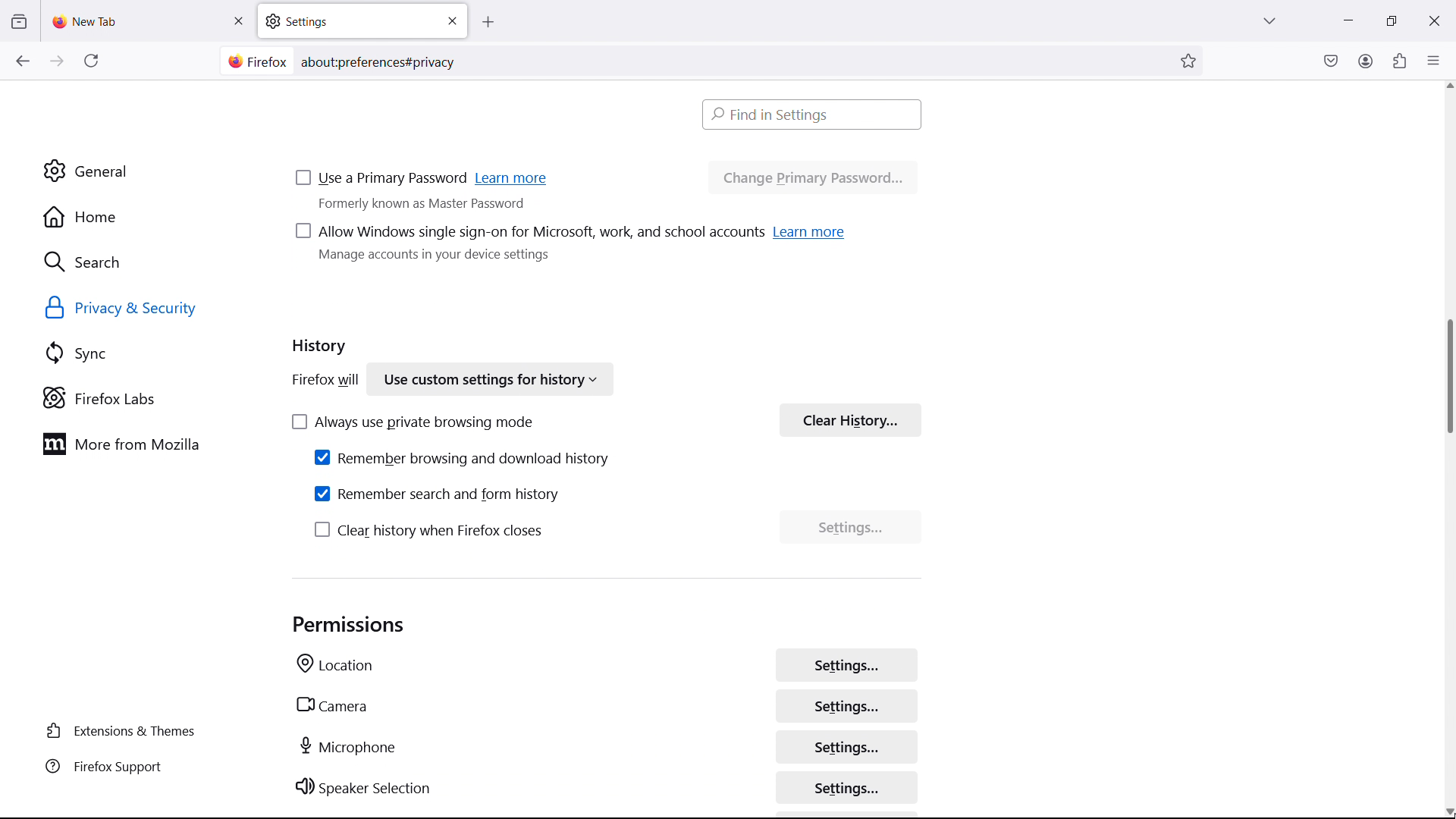 The height and width of the screenshot is (819, 1456). I want to click on home, so click(144, 217).